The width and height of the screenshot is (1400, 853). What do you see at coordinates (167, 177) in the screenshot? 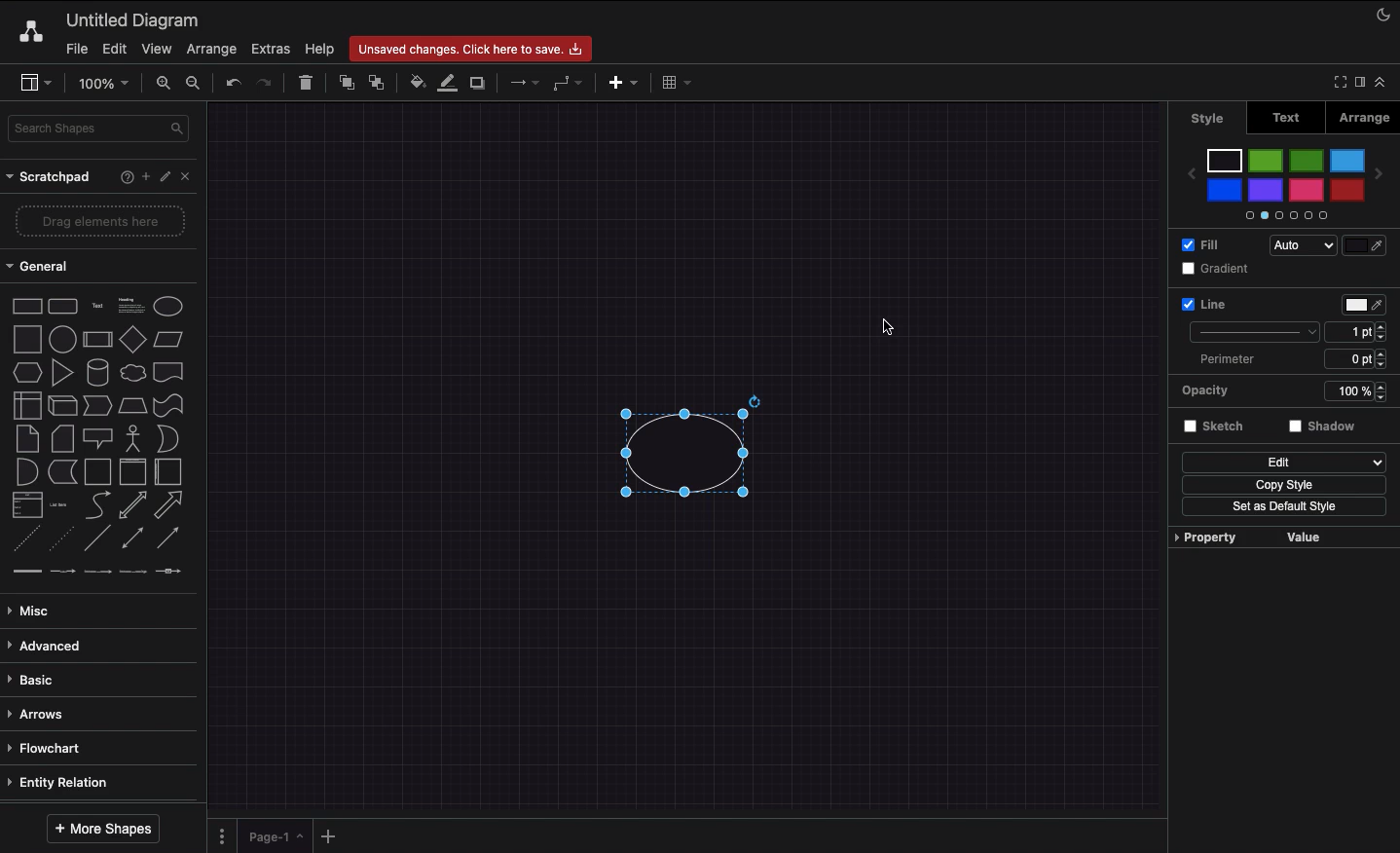
I see `Edit` at bounding box center [167, 177].